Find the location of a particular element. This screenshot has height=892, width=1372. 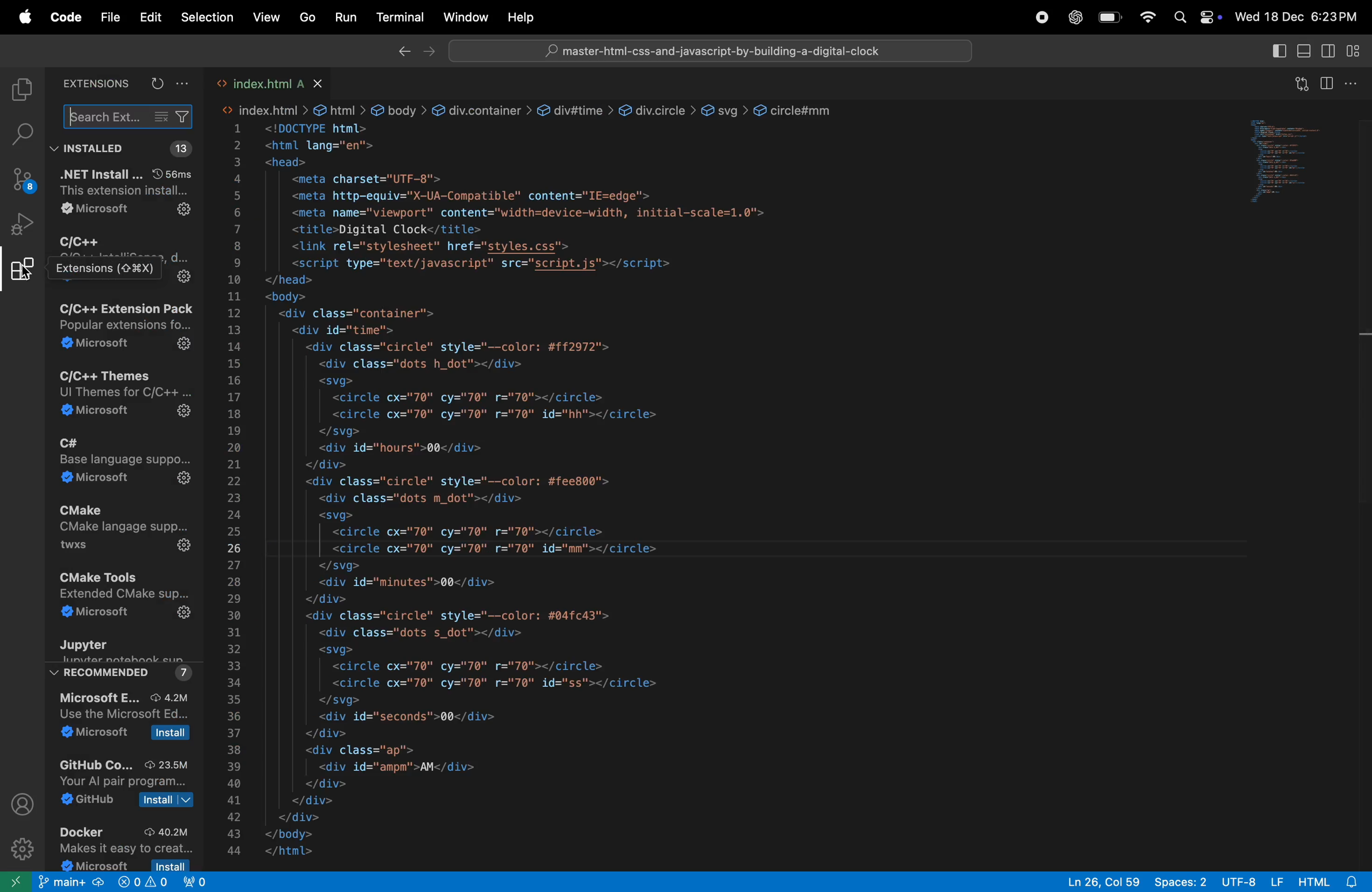

extensions is located at coordinates (96, 82).